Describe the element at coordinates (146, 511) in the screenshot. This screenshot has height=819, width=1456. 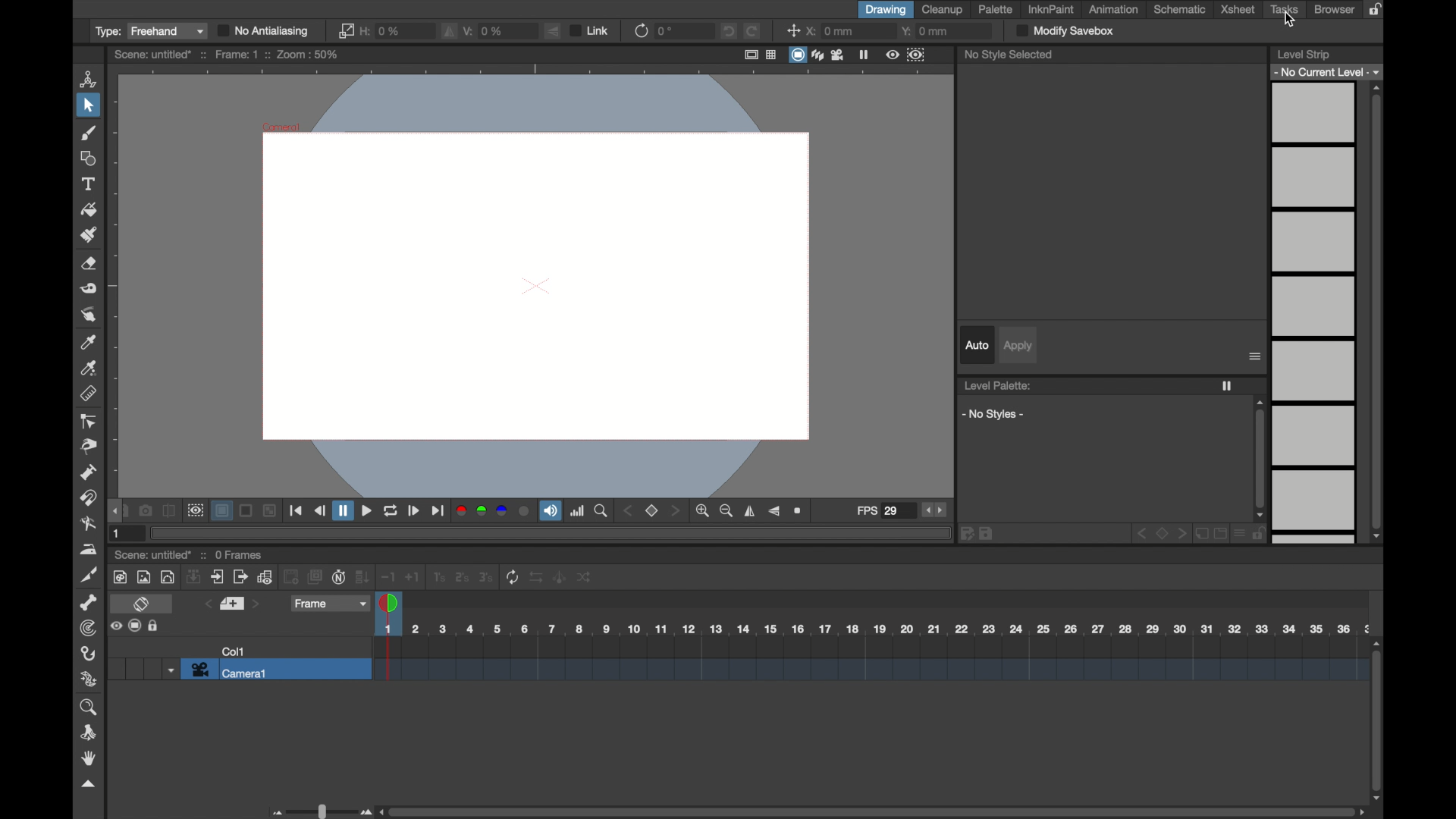
I see `snapshot` at that location.